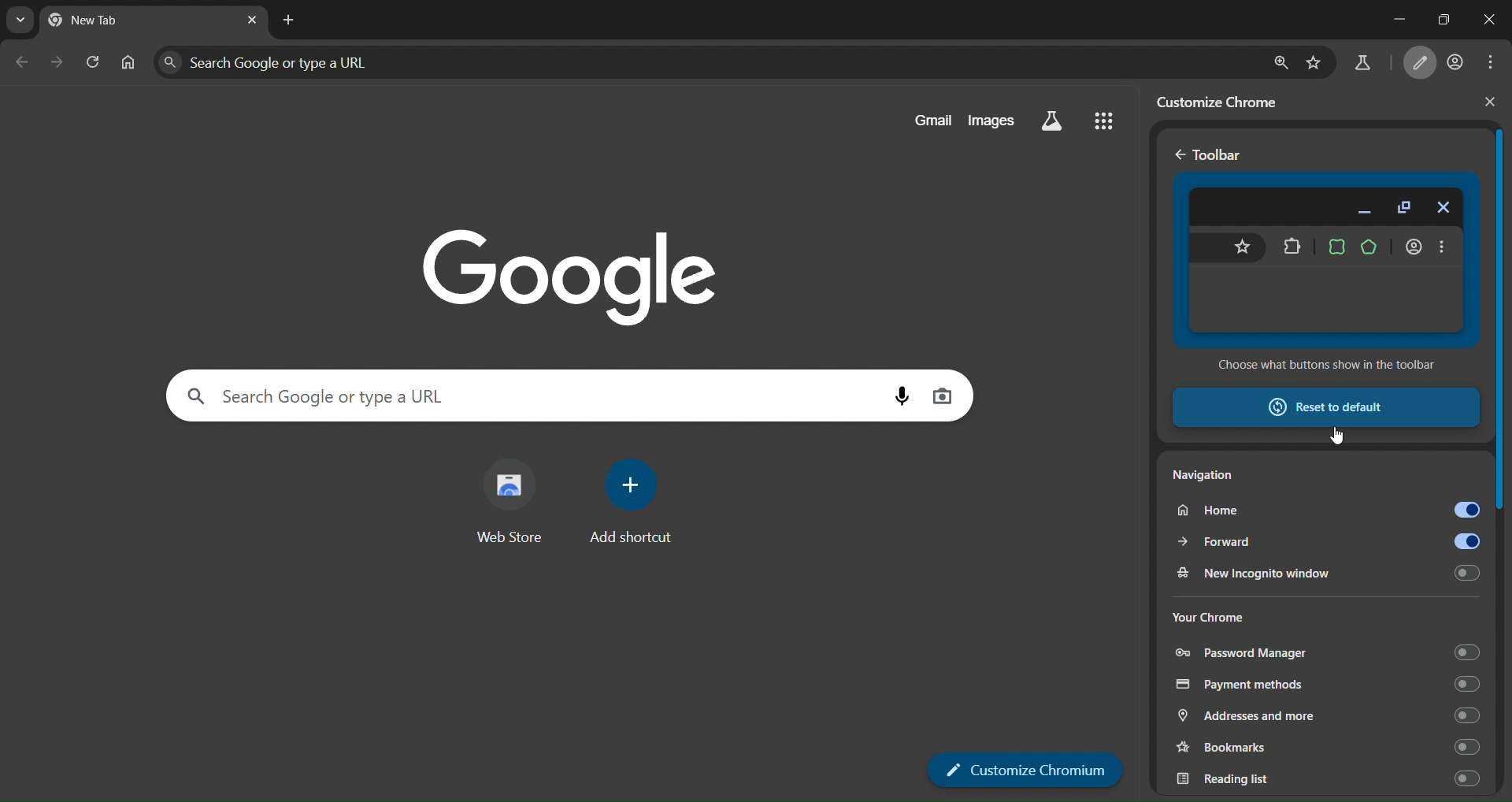  What do you see at coordinates (1365, 63) in the screenshot?
I see `search labs` at bounding box center [1365, 63].